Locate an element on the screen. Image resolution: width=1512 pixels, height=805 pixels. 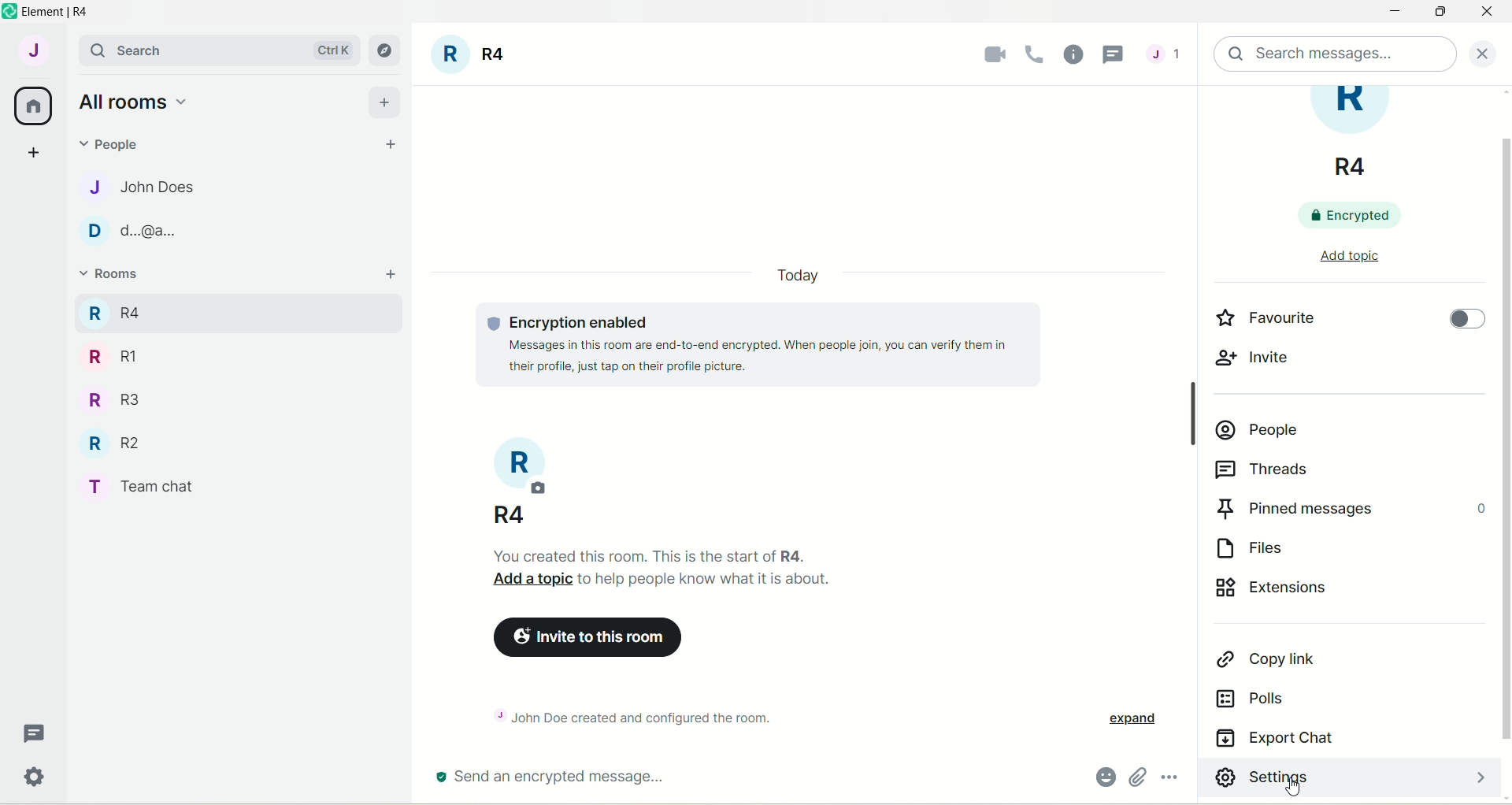
date is located at coordinates (797, 276).